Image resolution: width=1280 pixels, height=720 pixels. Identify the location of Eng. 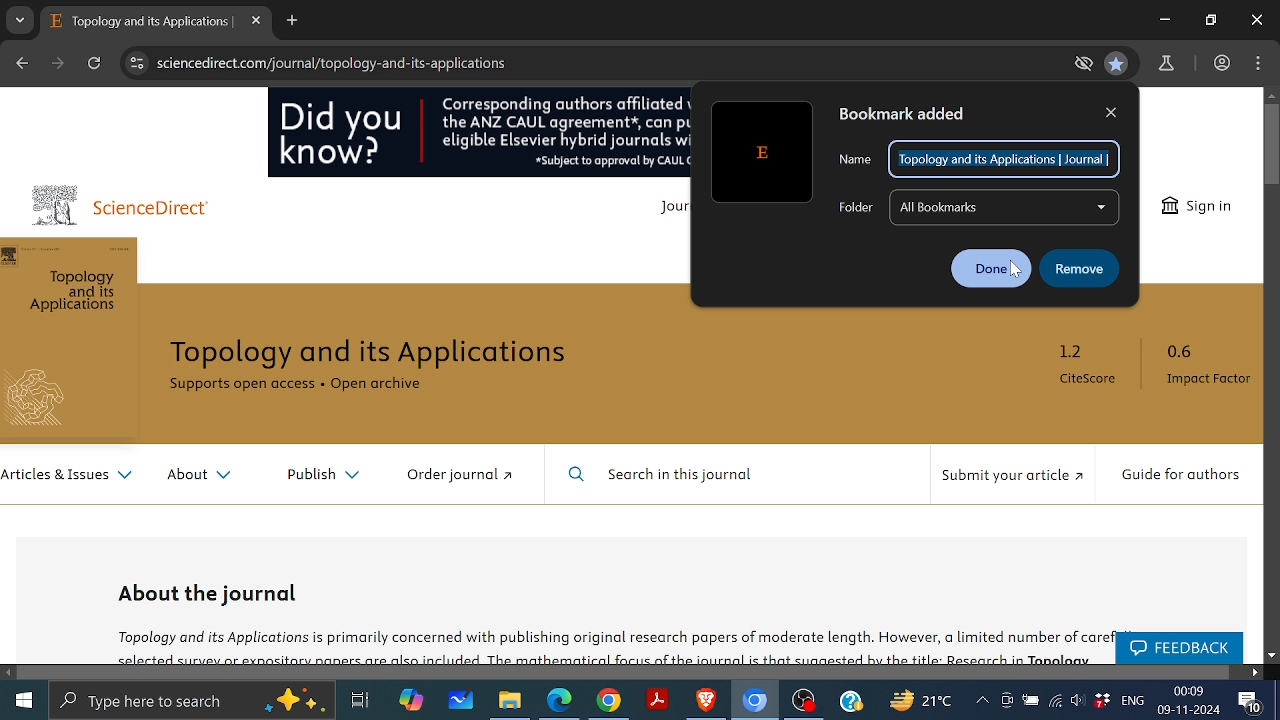
(1133, 700).